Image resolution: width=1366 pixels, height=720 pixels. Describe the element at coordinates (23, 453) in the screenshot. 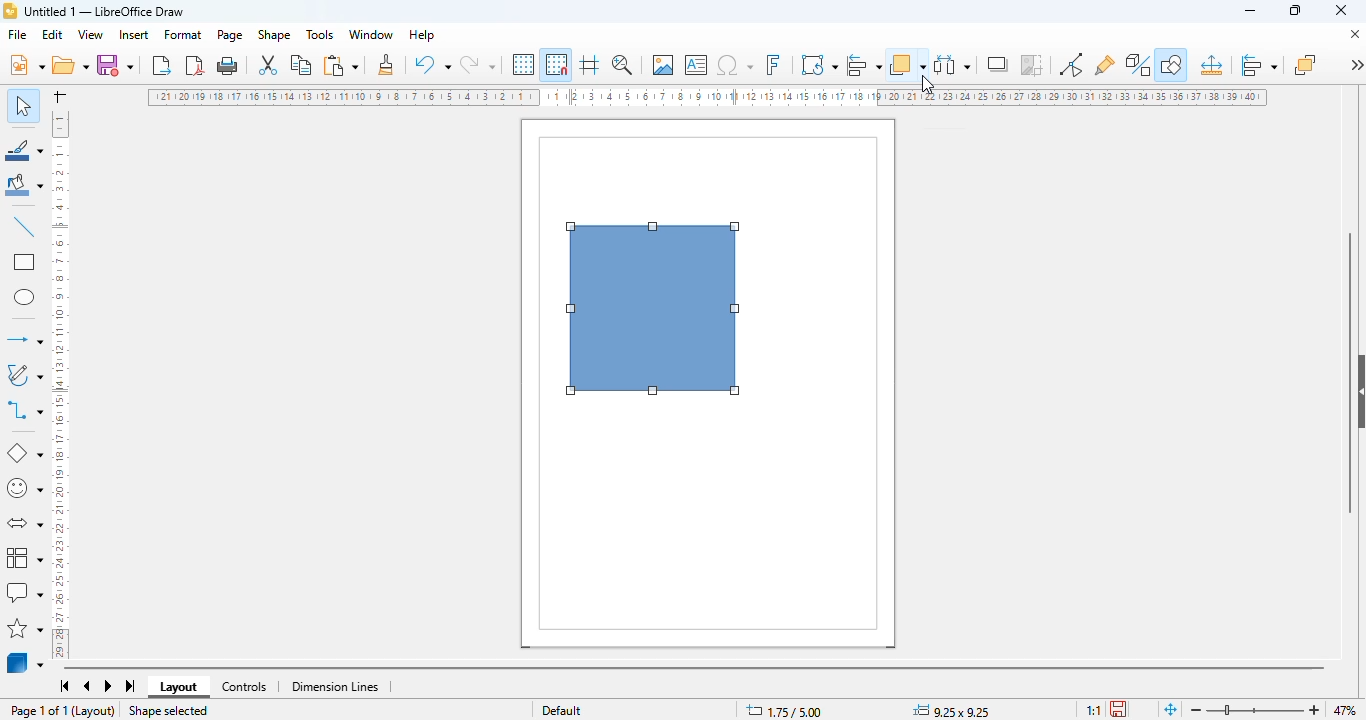

I see `basic shapes` at that location.